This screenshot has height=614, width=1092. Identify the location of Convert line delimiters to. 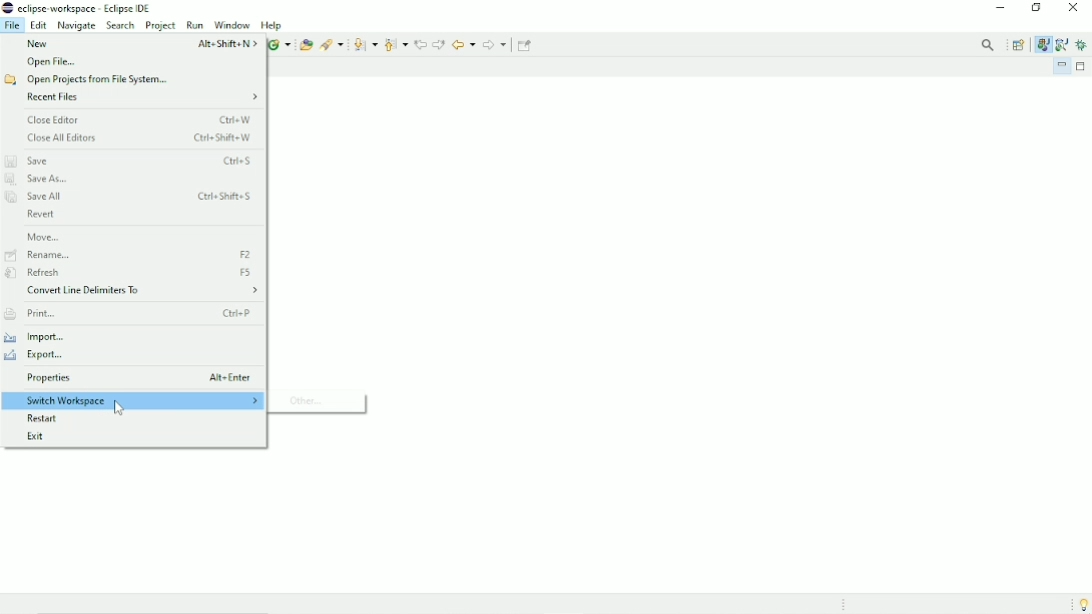
(141, 292).